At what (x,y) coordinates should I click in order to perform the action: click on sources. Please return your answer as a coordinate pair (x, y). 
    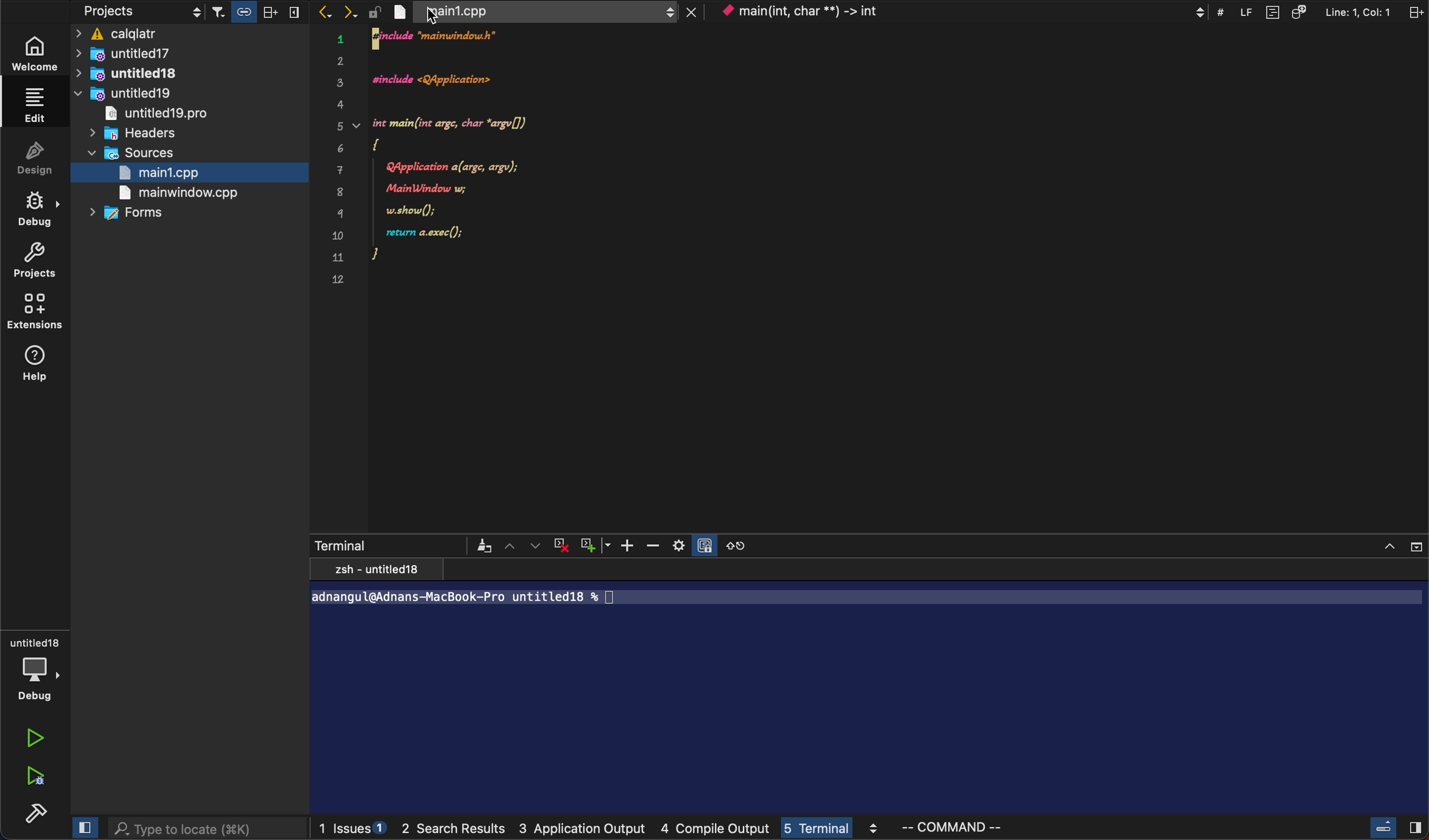
    Looking at the image, I should click on (134, 153).